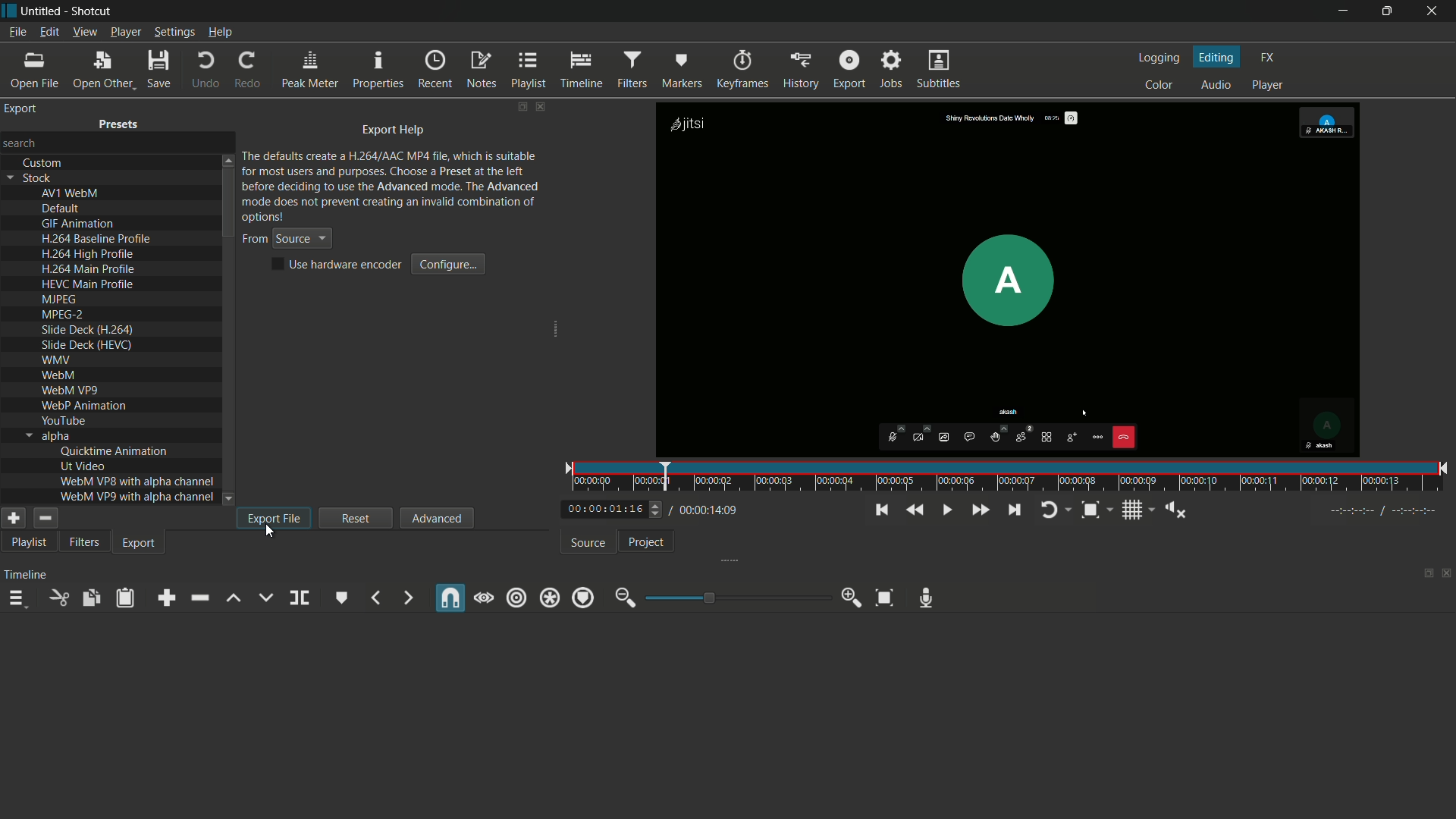  What do you see at coordinates (802, 71) in the screenshot?
I see `export` at bounding box center [802, 71].